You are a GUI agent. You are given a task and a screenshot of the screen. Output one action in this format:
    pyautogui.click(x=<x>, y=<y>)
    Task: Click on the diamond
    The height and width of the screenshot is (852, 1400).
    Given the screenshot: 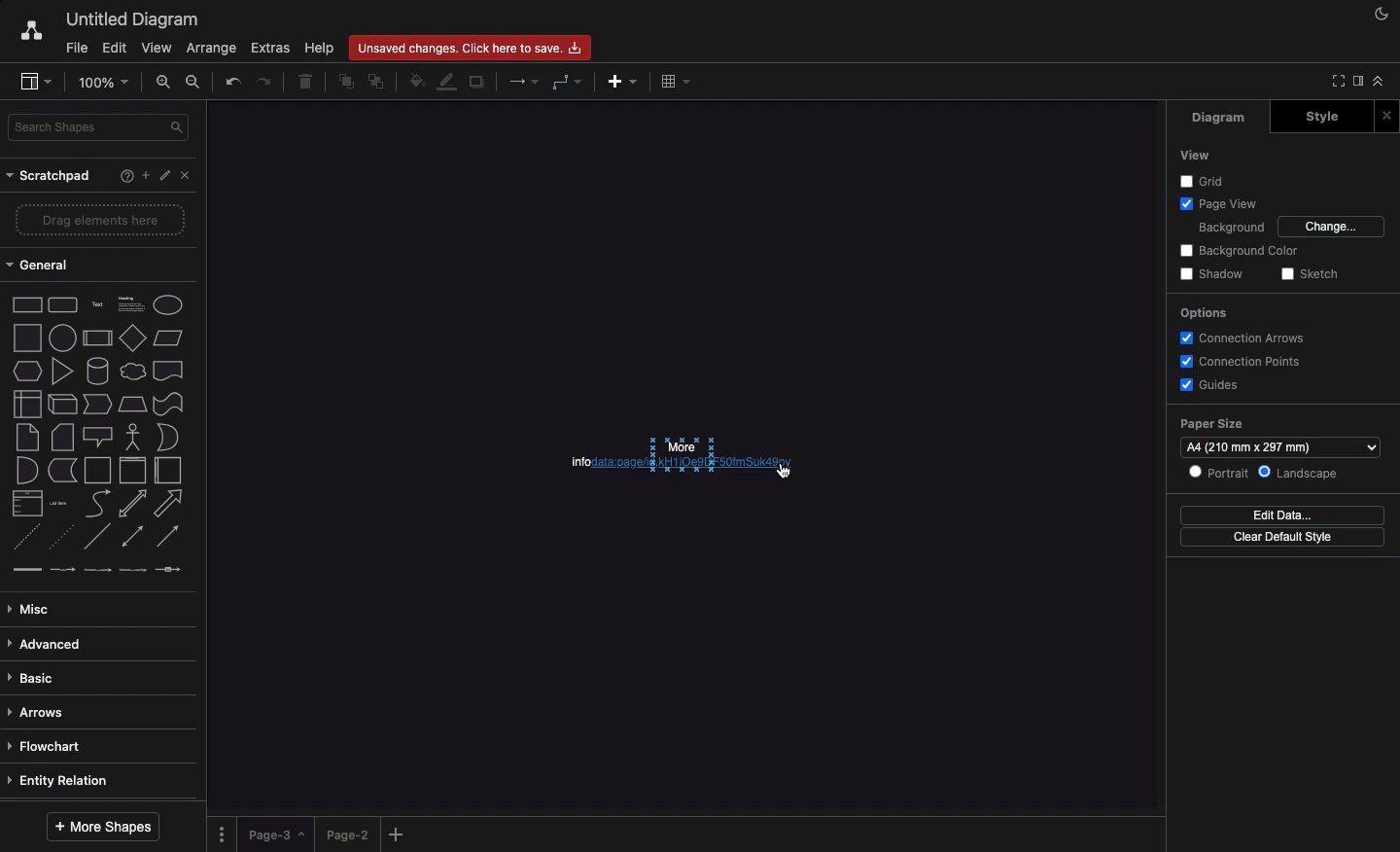 What is the action you would take?
    pyautogui.click(x=133, y=337)
    